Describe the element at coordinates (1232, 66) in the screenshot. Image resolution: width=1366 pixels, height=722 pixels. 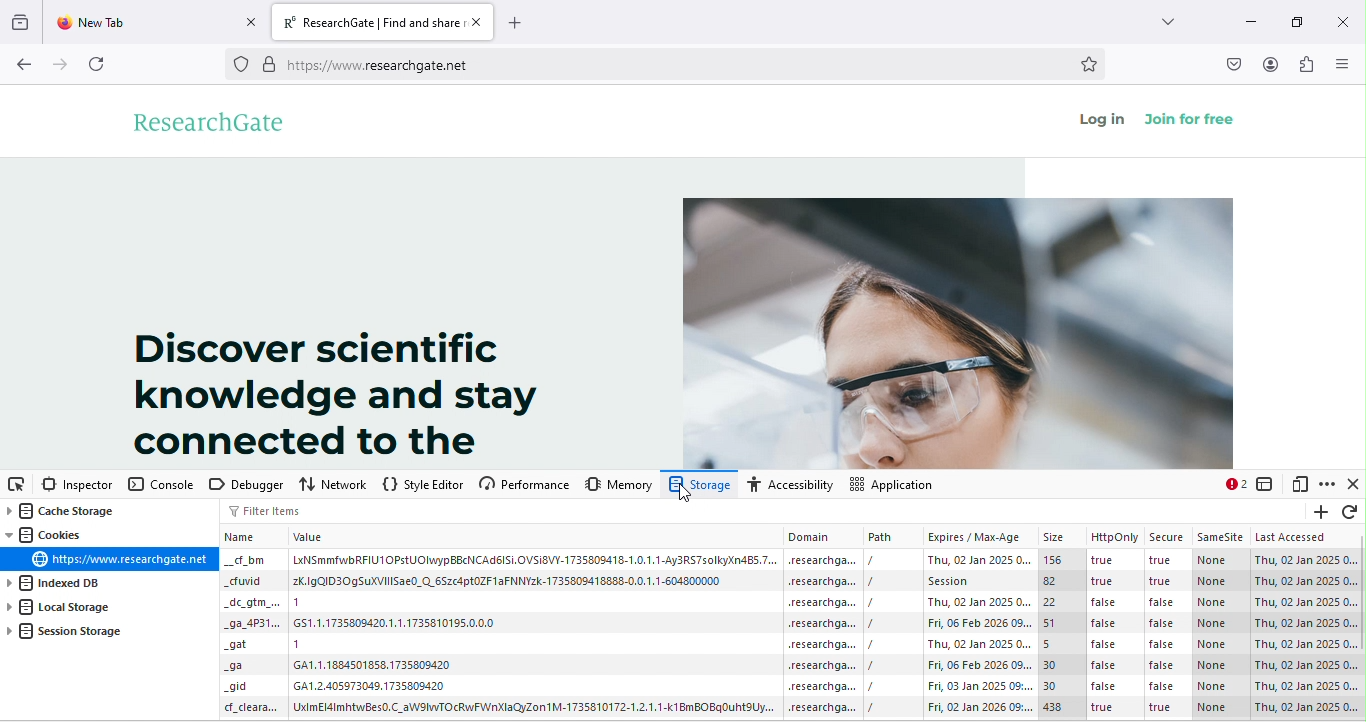
I see `save to pocket` at that location.